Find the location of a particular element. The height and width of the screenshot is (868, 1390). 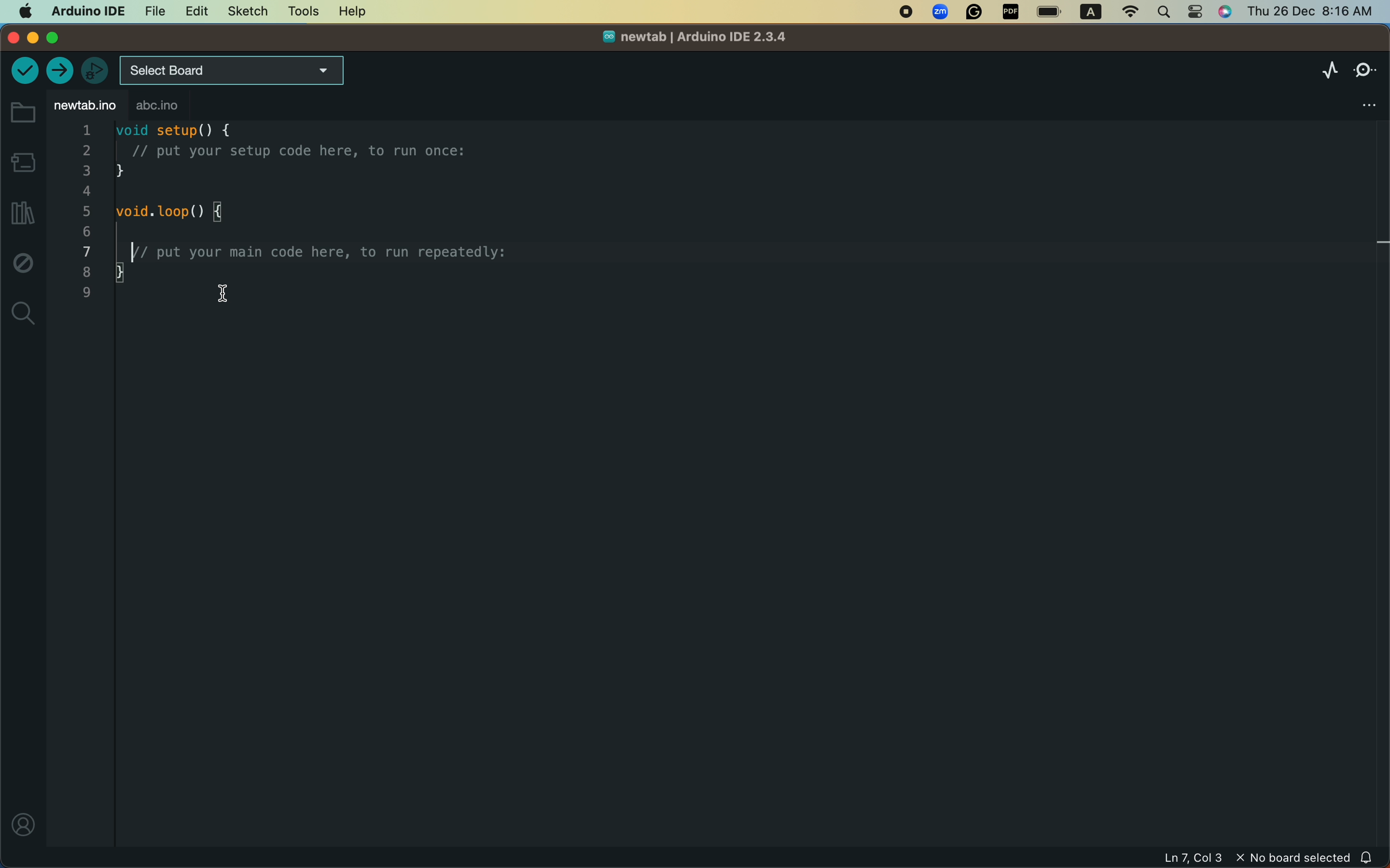

 is located at coordinates (941, 13).